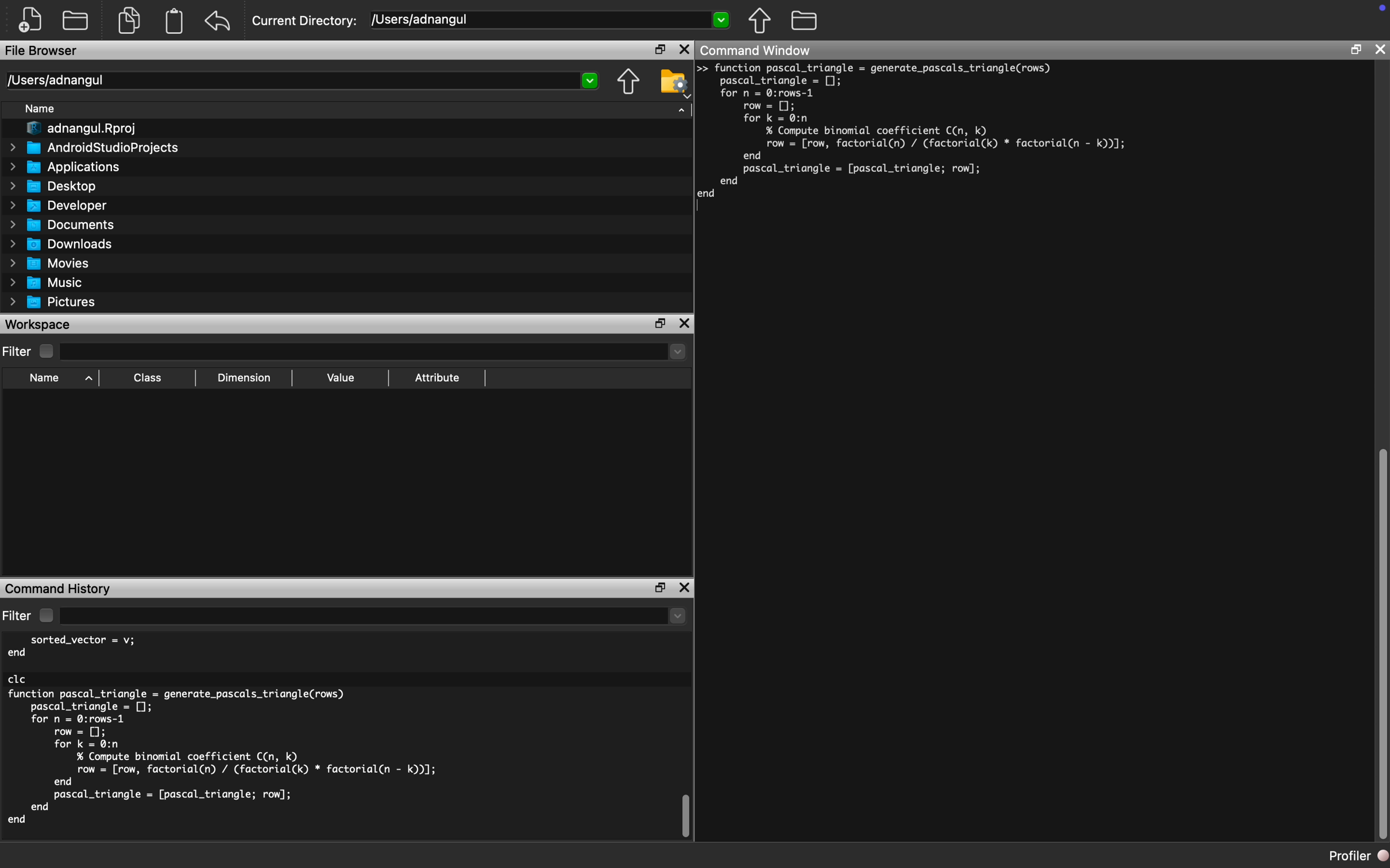 The image size is (1390, 868). I want to click on Name, so click(45, 378).